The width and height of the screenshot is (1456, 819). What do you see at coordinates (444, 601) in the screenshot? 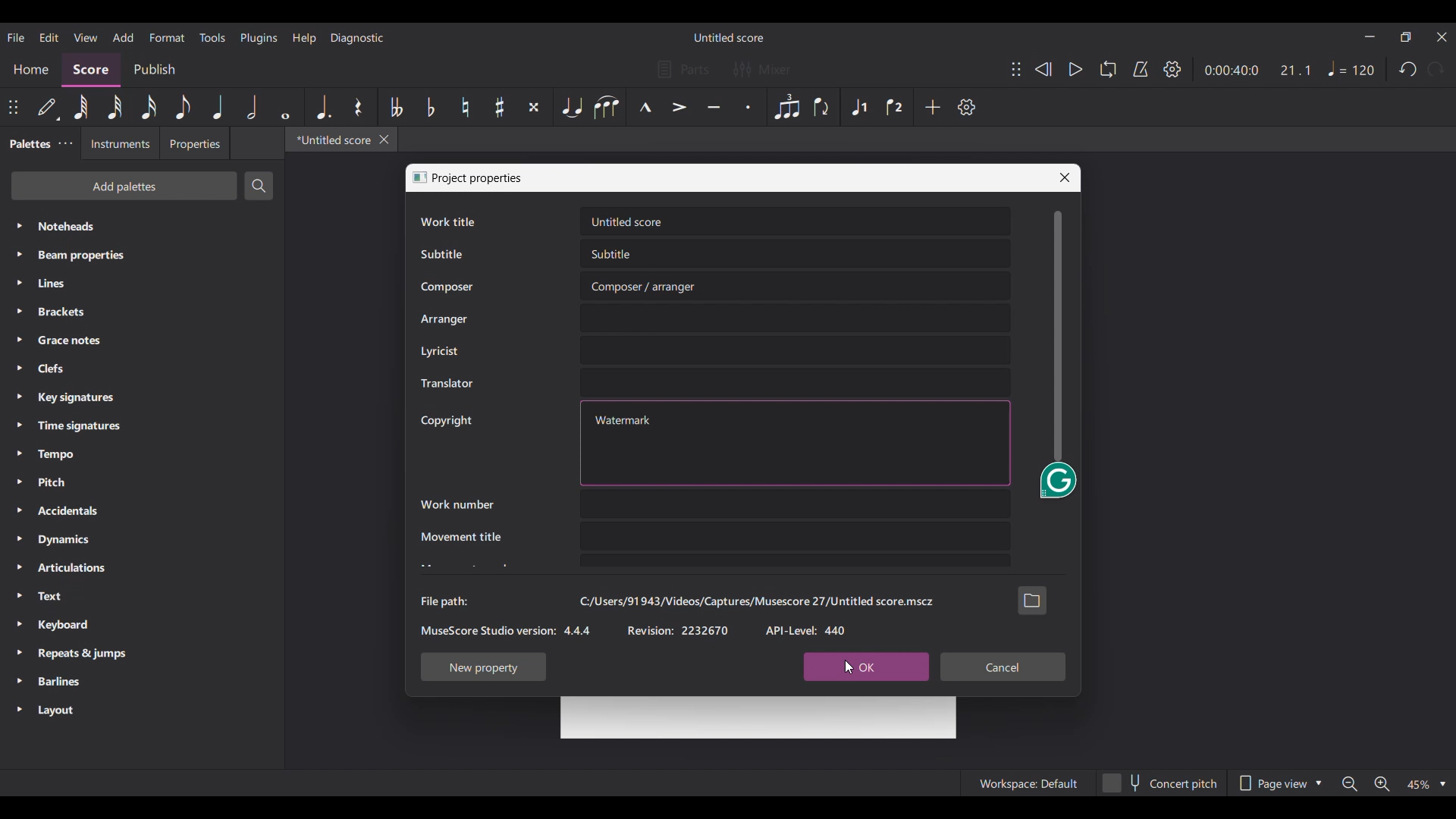
I see `File path:` at bounding box center [444, 601].